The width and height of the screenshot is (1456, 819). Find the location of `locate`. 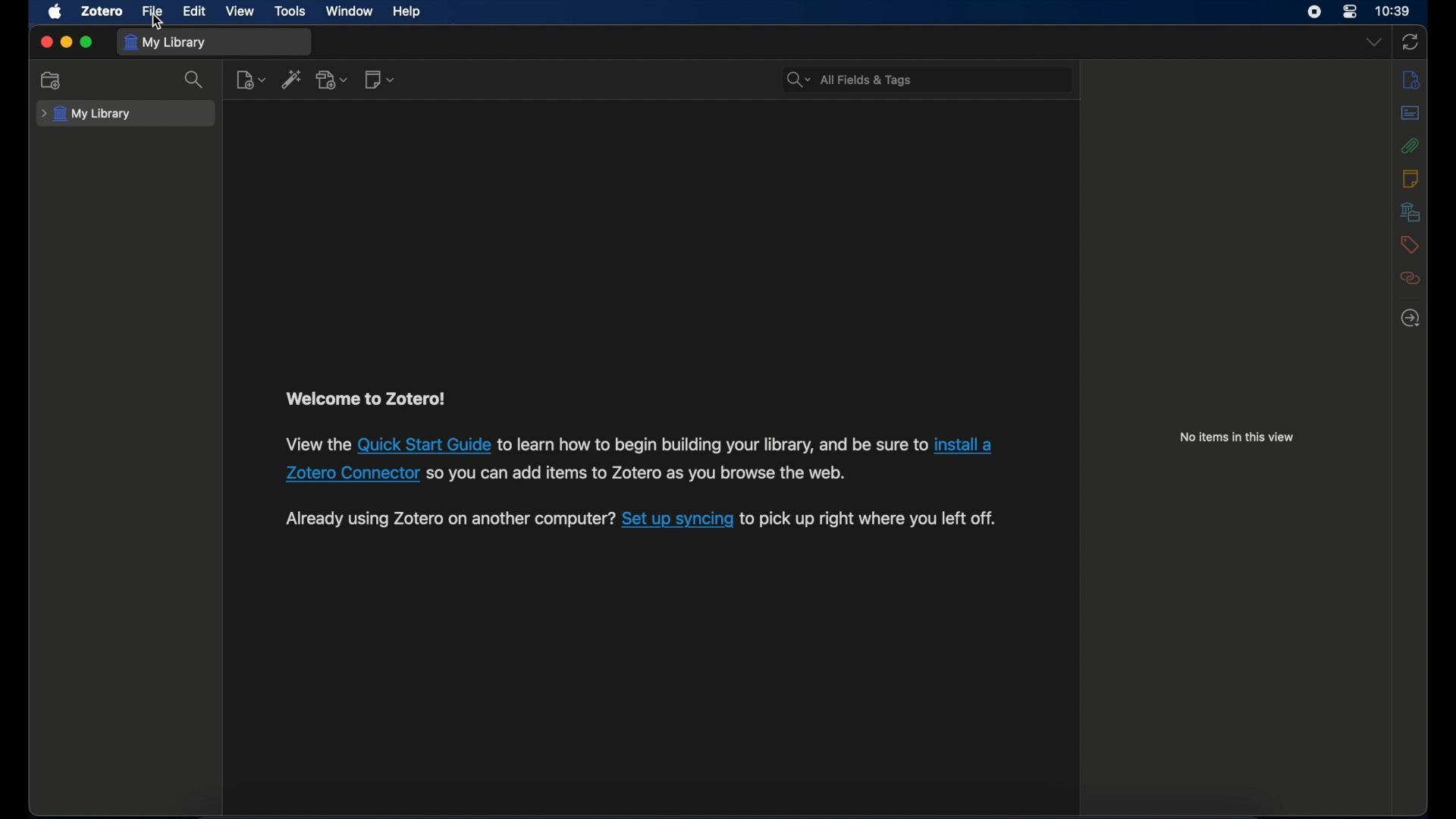

locate is located at coordinates (1410, 319).